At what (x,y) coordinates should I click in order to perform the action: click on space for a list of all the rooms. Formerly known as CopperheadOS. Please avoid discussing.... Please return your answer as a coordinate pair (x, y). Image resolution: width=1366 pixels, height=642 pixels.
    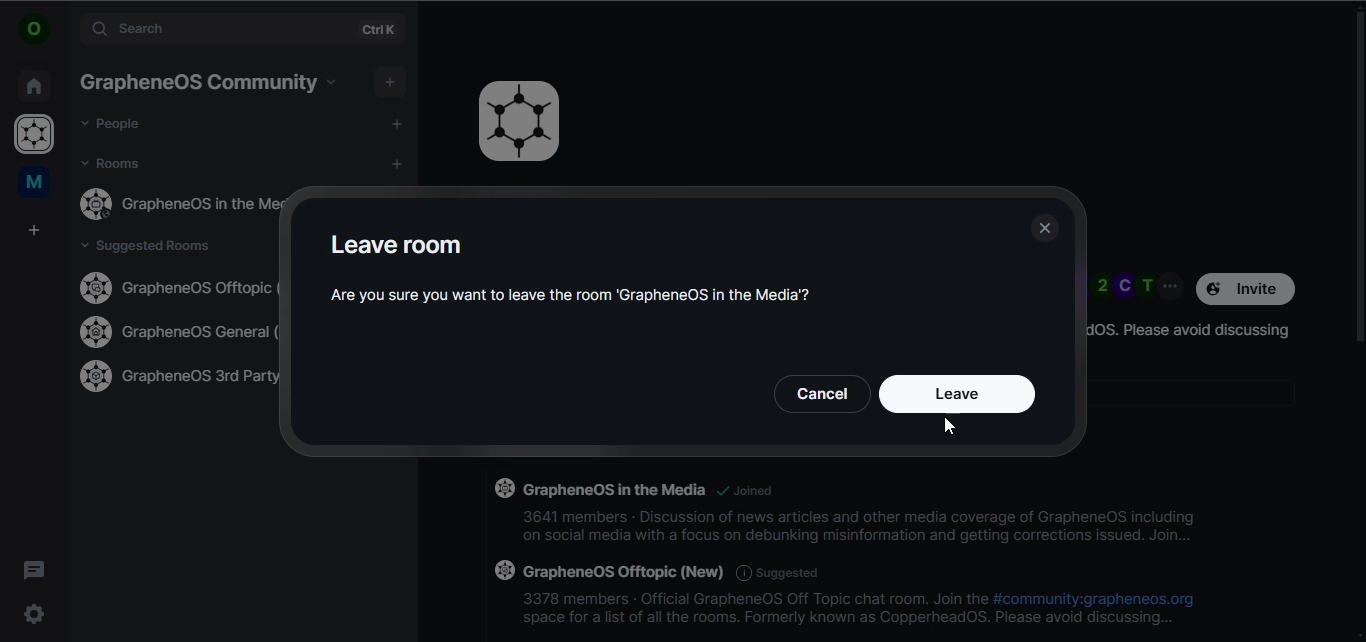
    Looking at the image, I should click on (849, 621).